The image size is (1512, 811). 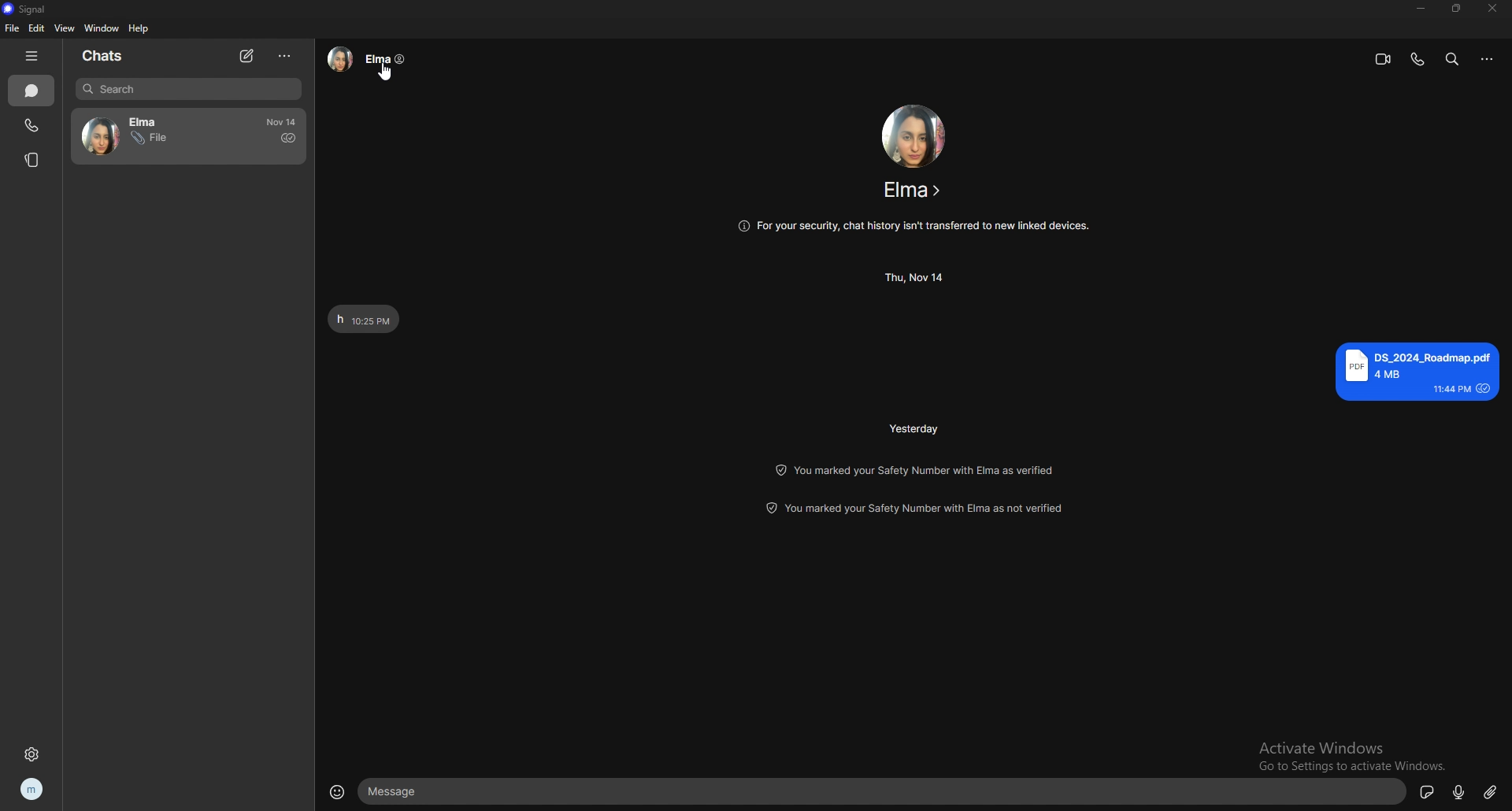 I want to click on info, so click(x=913, y=227).